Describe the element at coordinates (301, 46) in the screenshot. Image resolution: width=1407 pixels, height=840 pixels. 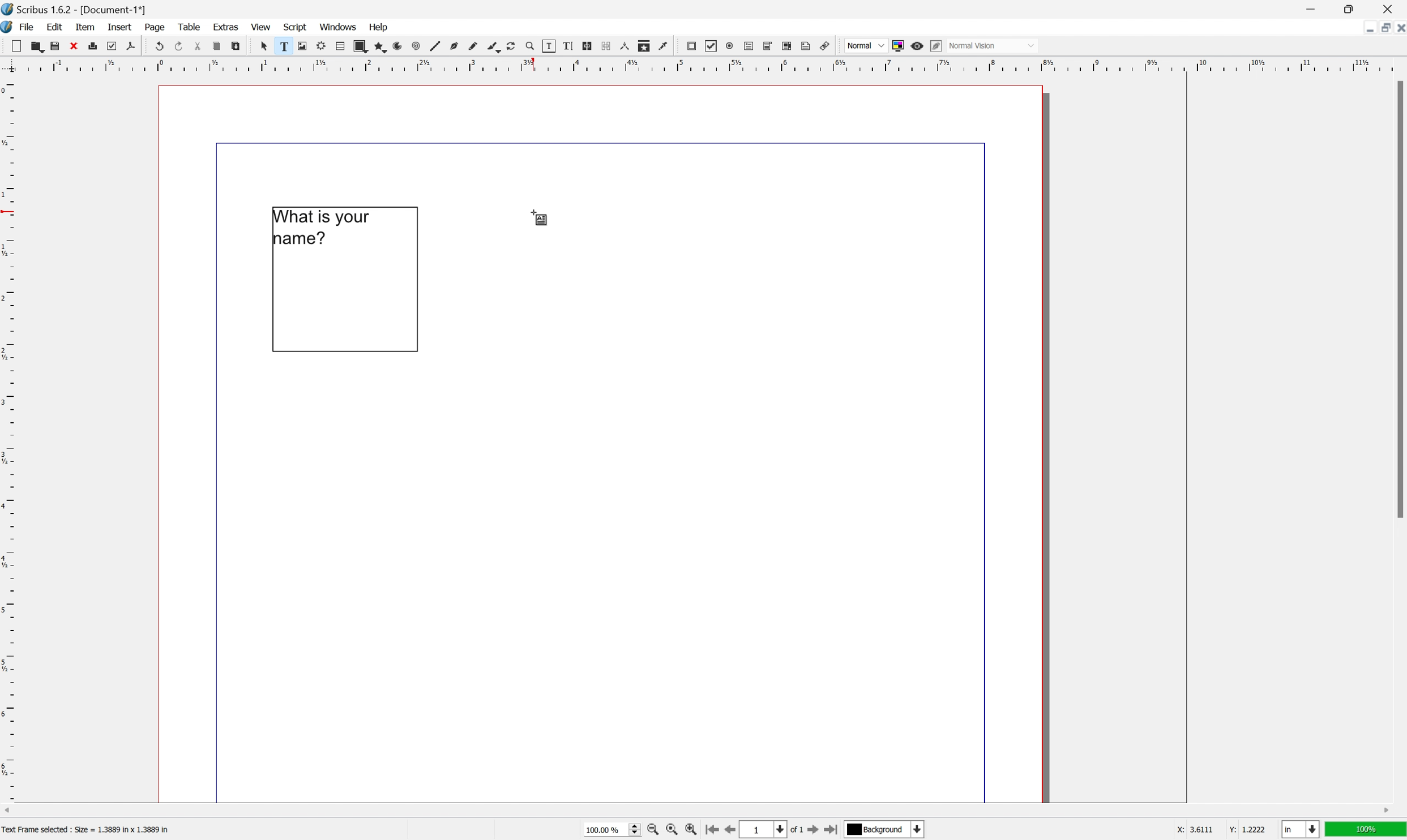
I see `image frame` at that location.